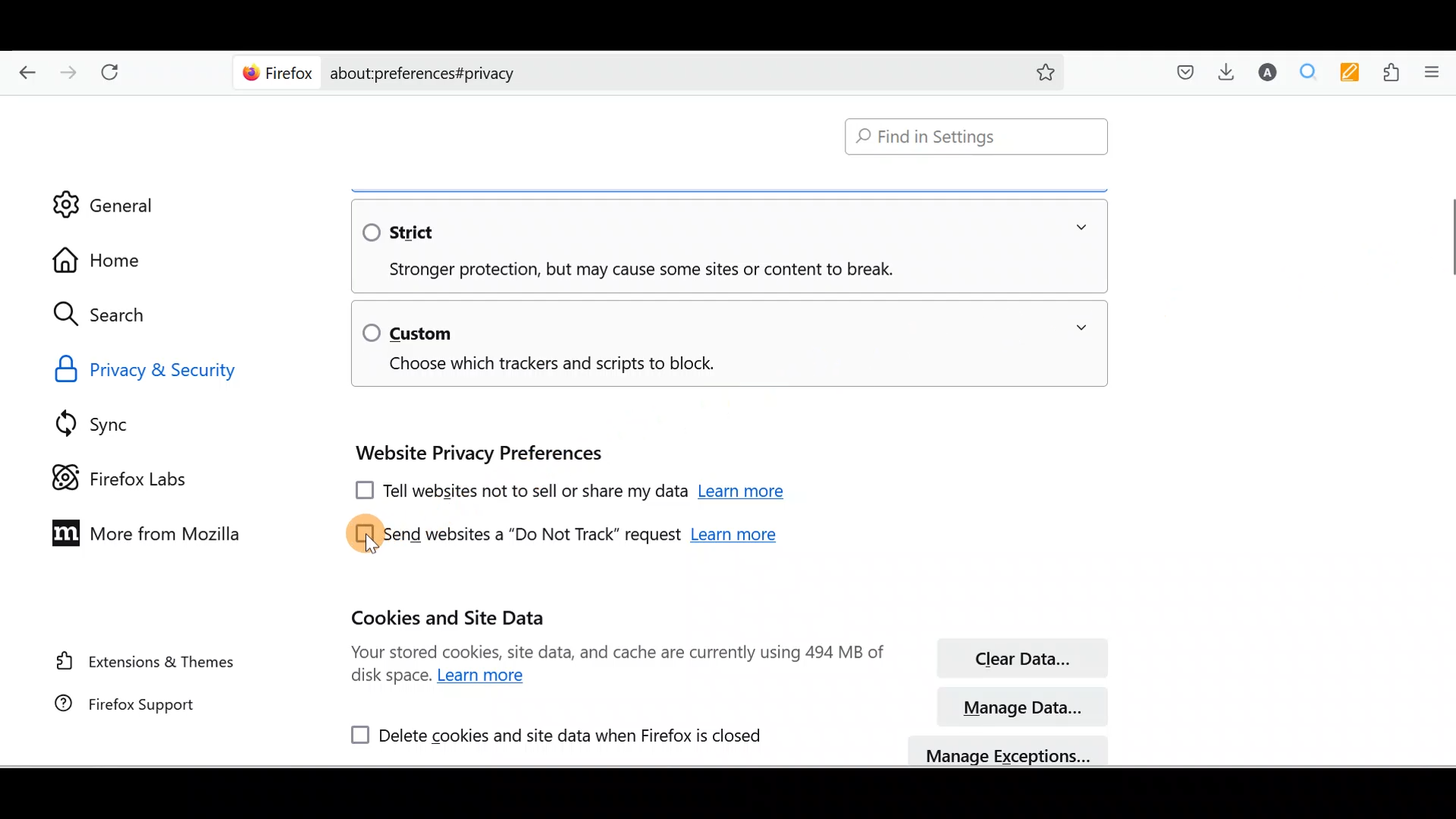  I want to click on Website privacy preferences, so click(475, 453).